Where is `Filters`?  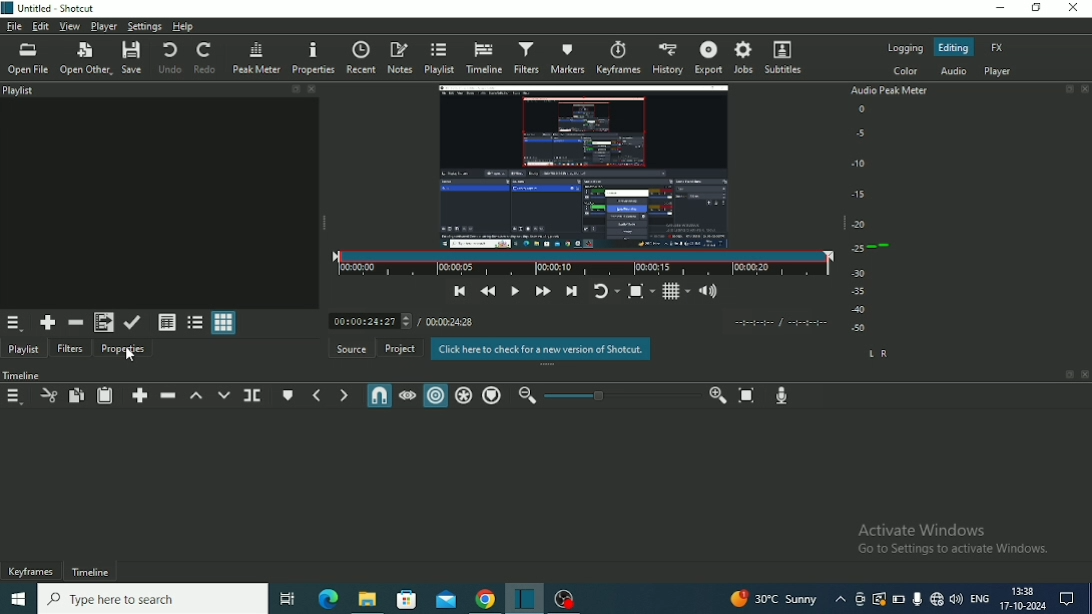
Filters is located at coordinates (70, 349).